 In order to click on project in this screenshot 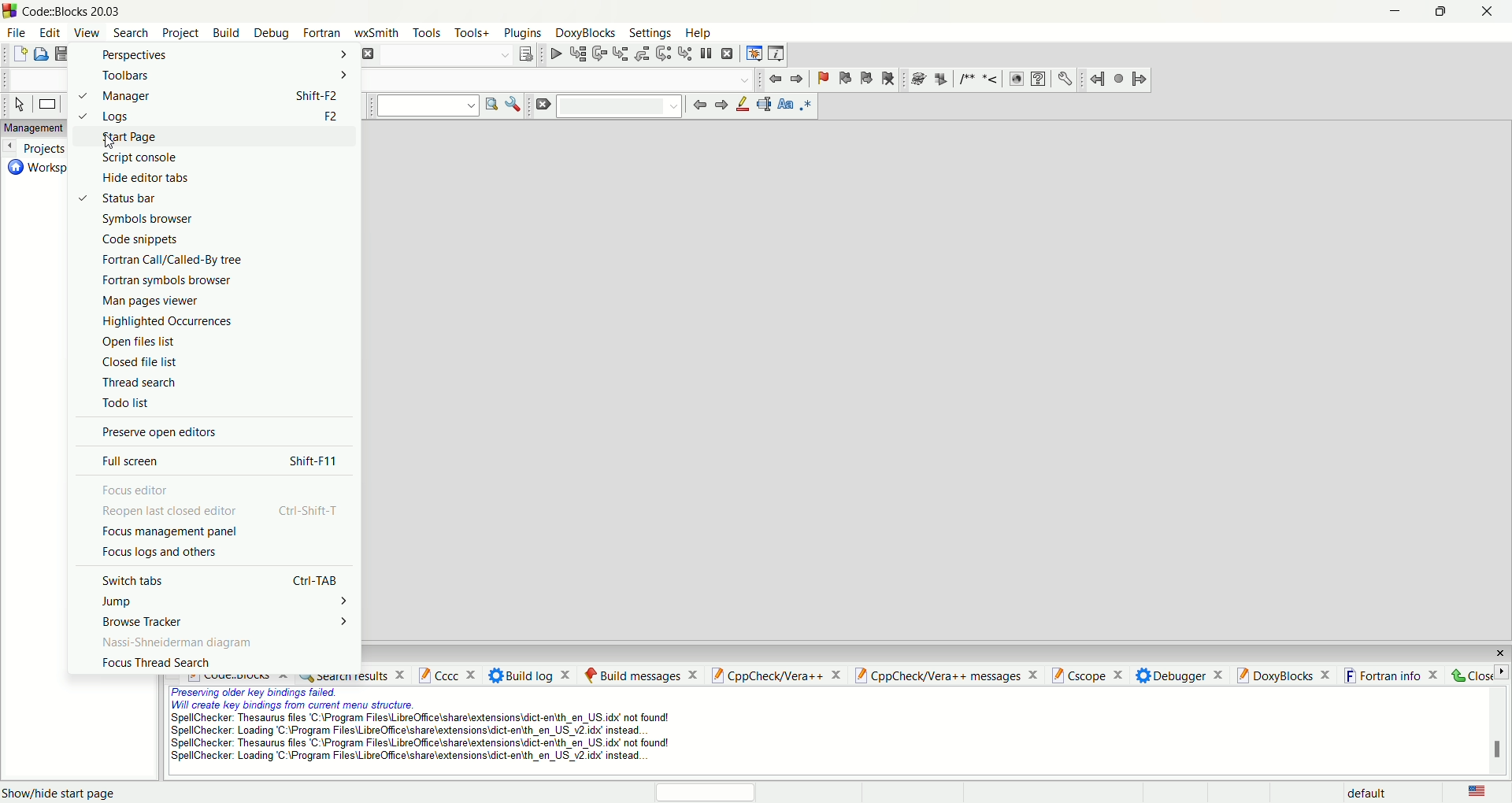, I will do `click(180, 33)`.